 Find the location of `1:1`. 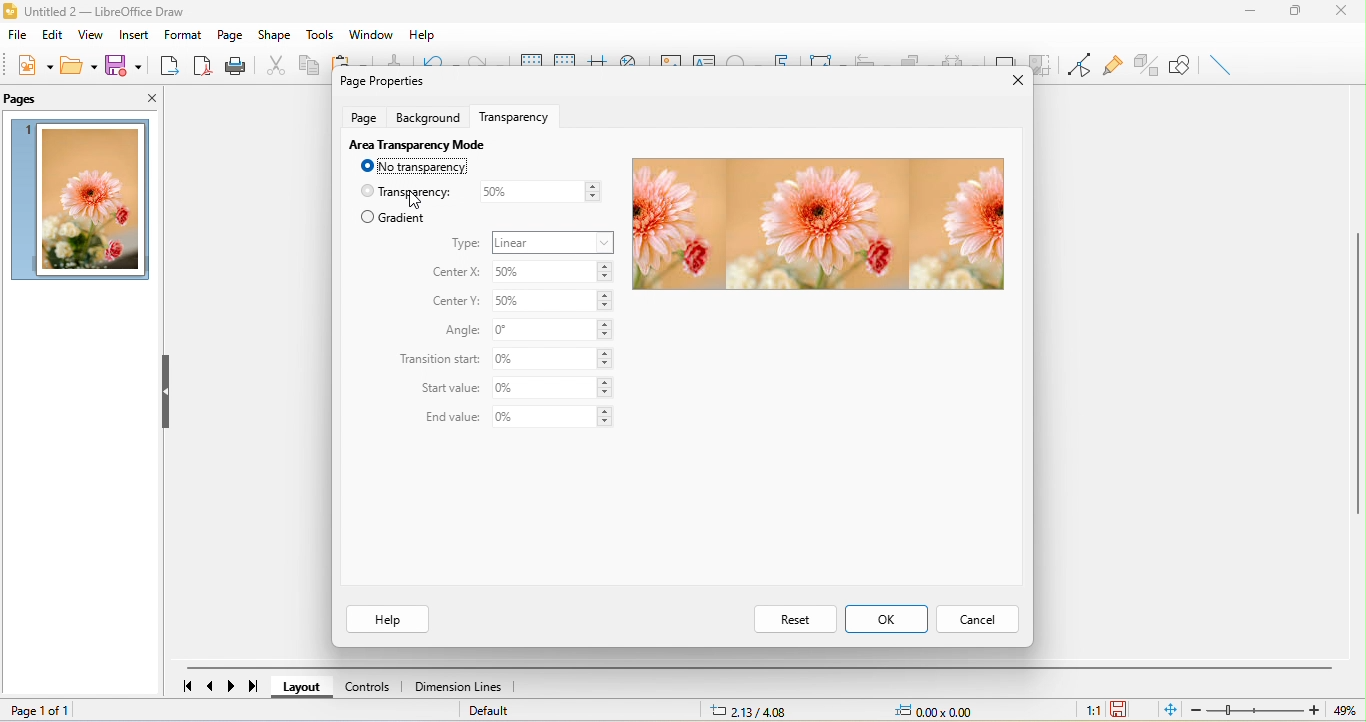

1:1 is located at coordinates (1092, 712).